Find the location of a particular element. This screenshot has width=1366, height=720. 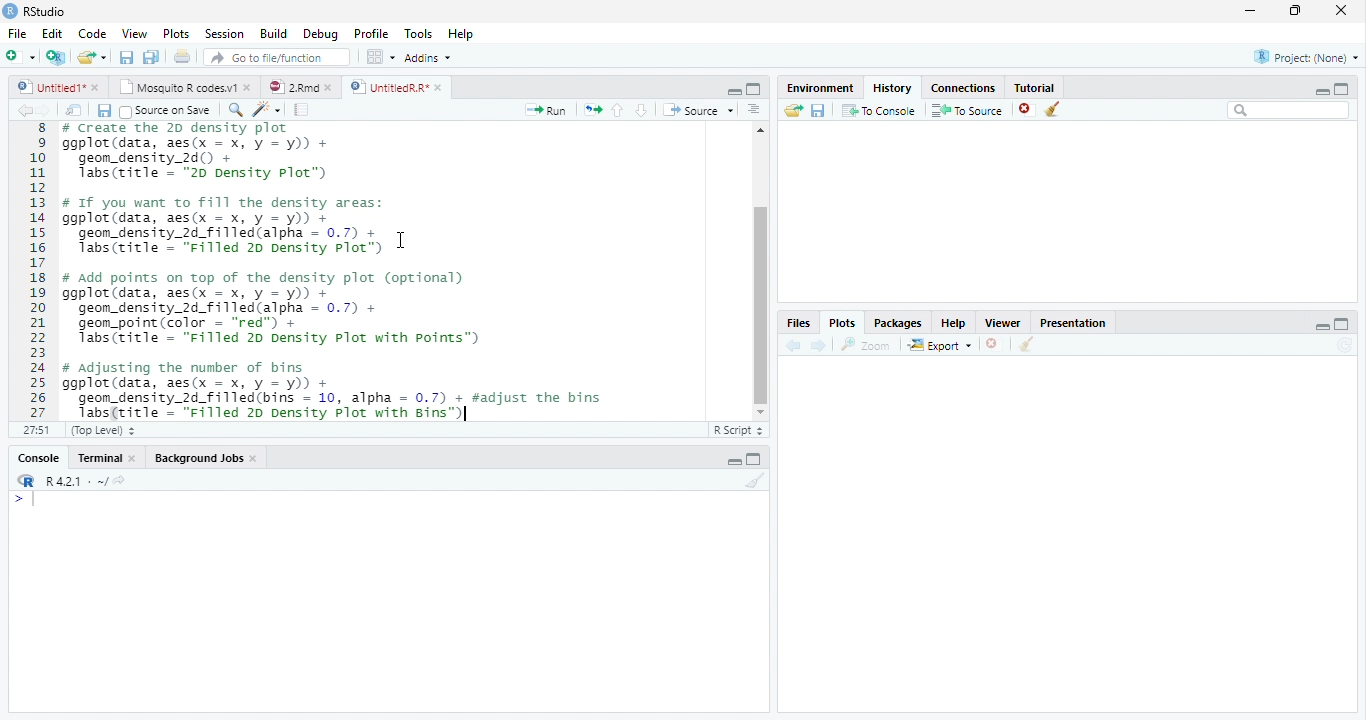

Packages is located at coordinates (897, 325).